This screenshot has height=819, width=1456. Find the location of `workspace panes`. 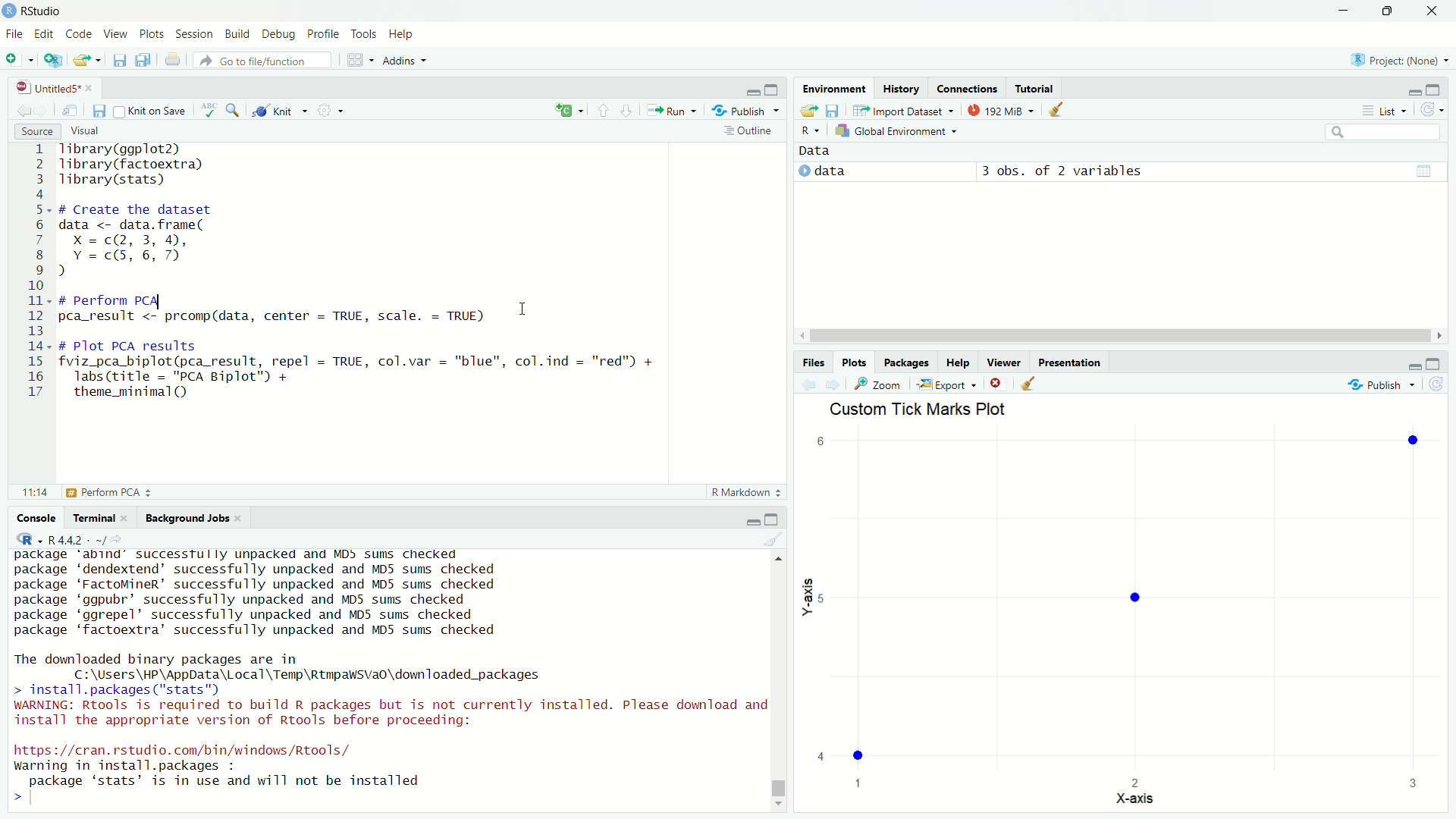

workspace panes is located at coordinates (357, 60).